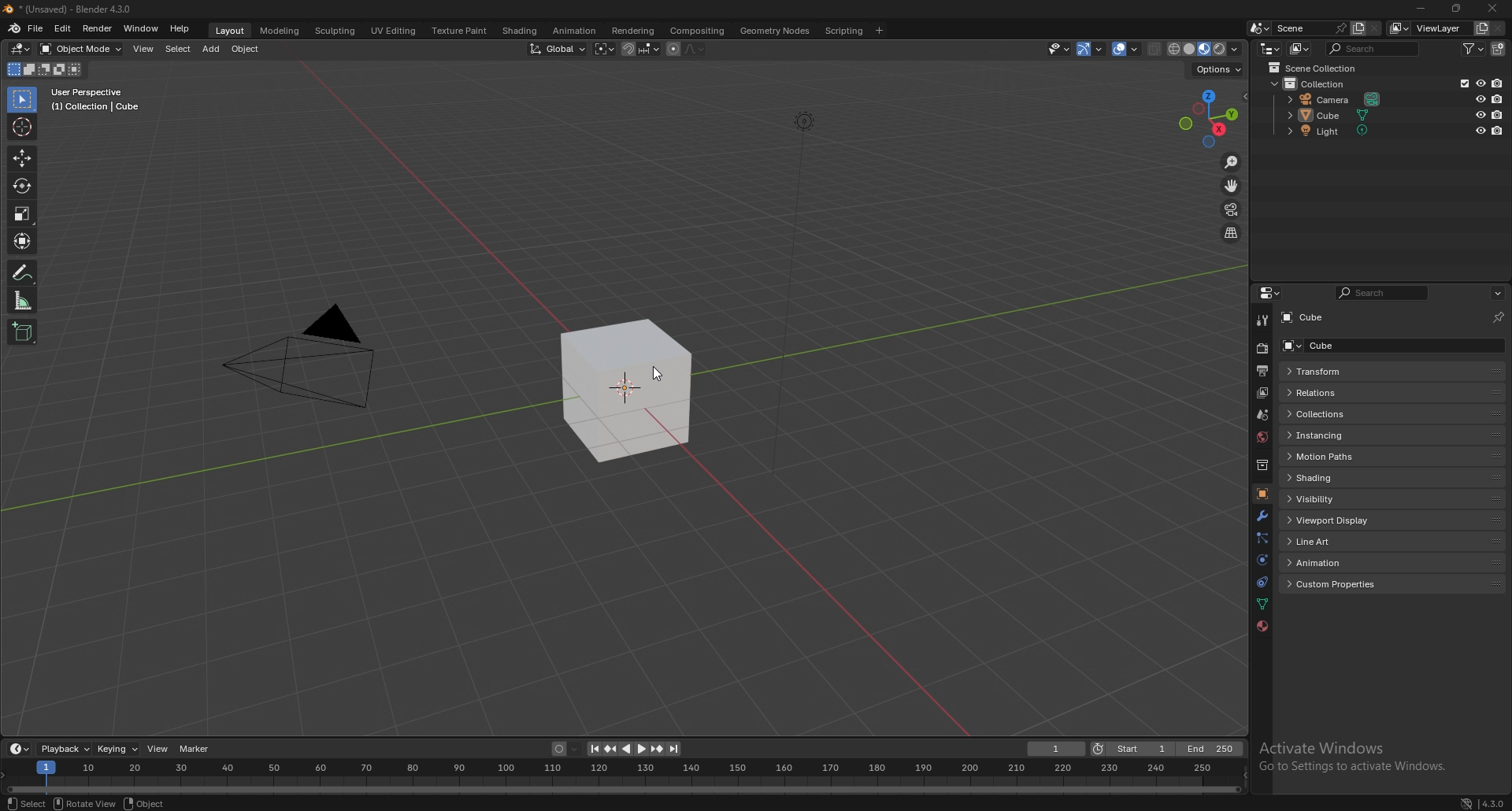 This screenshot has height=811, width=1512. What do you see at coordinates (44, 69) in the screenshot?
I see `modes` at bounding box center [44, 69].